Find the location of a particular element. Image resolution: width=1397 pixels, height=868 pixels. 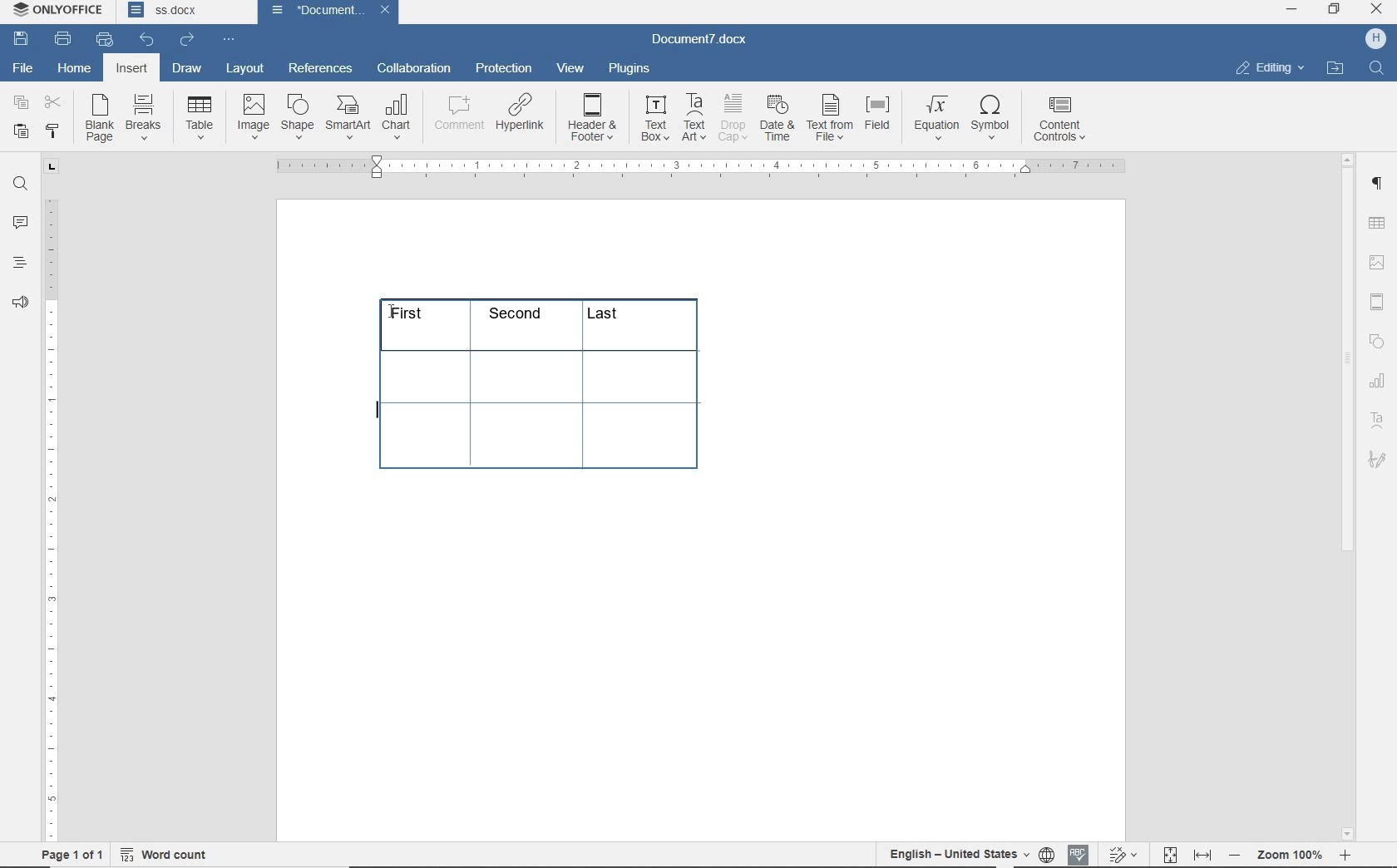

FIND is located at coordinates (1378, 68).